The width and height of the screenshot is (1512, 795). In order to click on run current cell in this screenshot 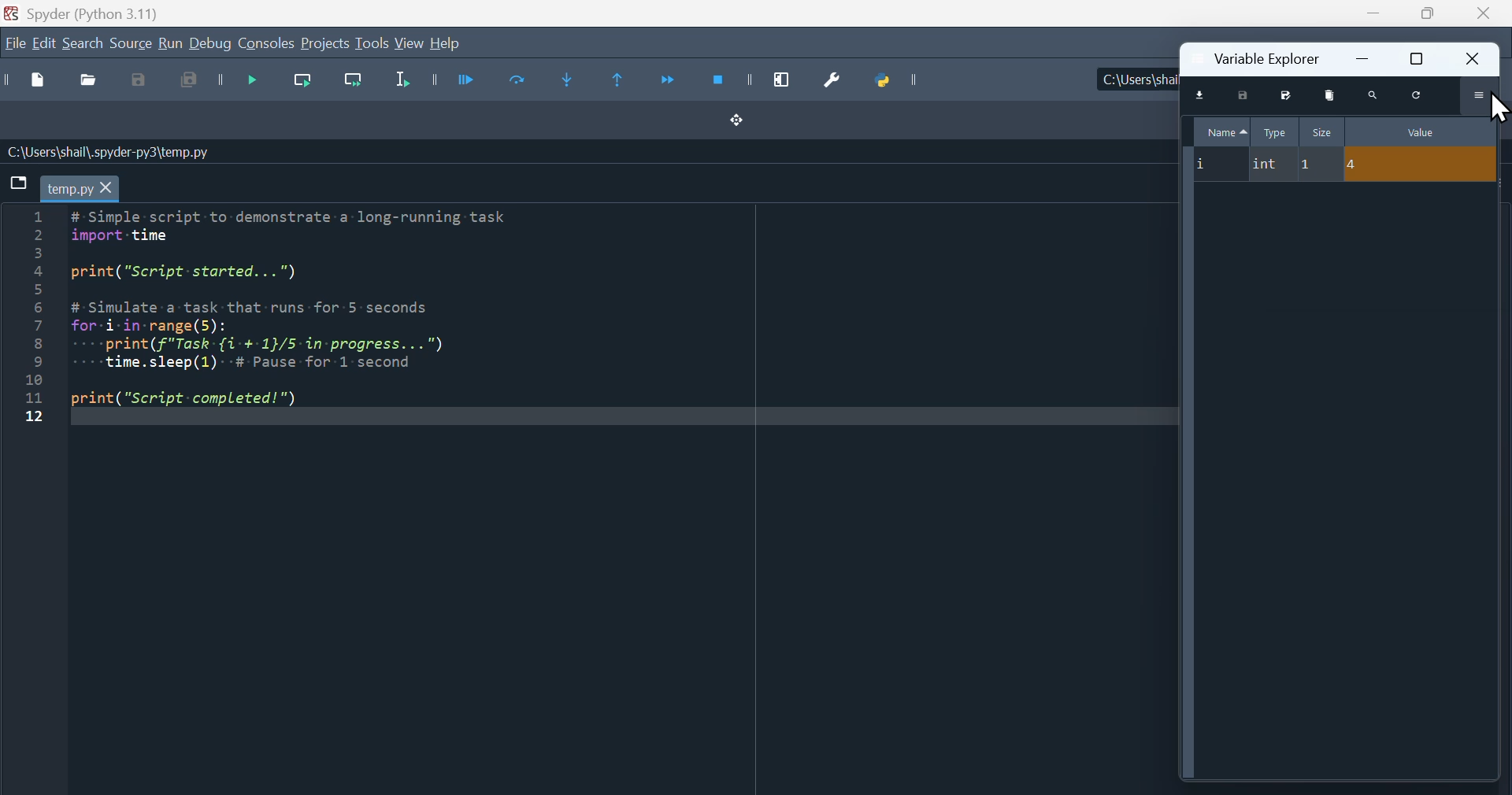, I will do `click(511, 83)`.